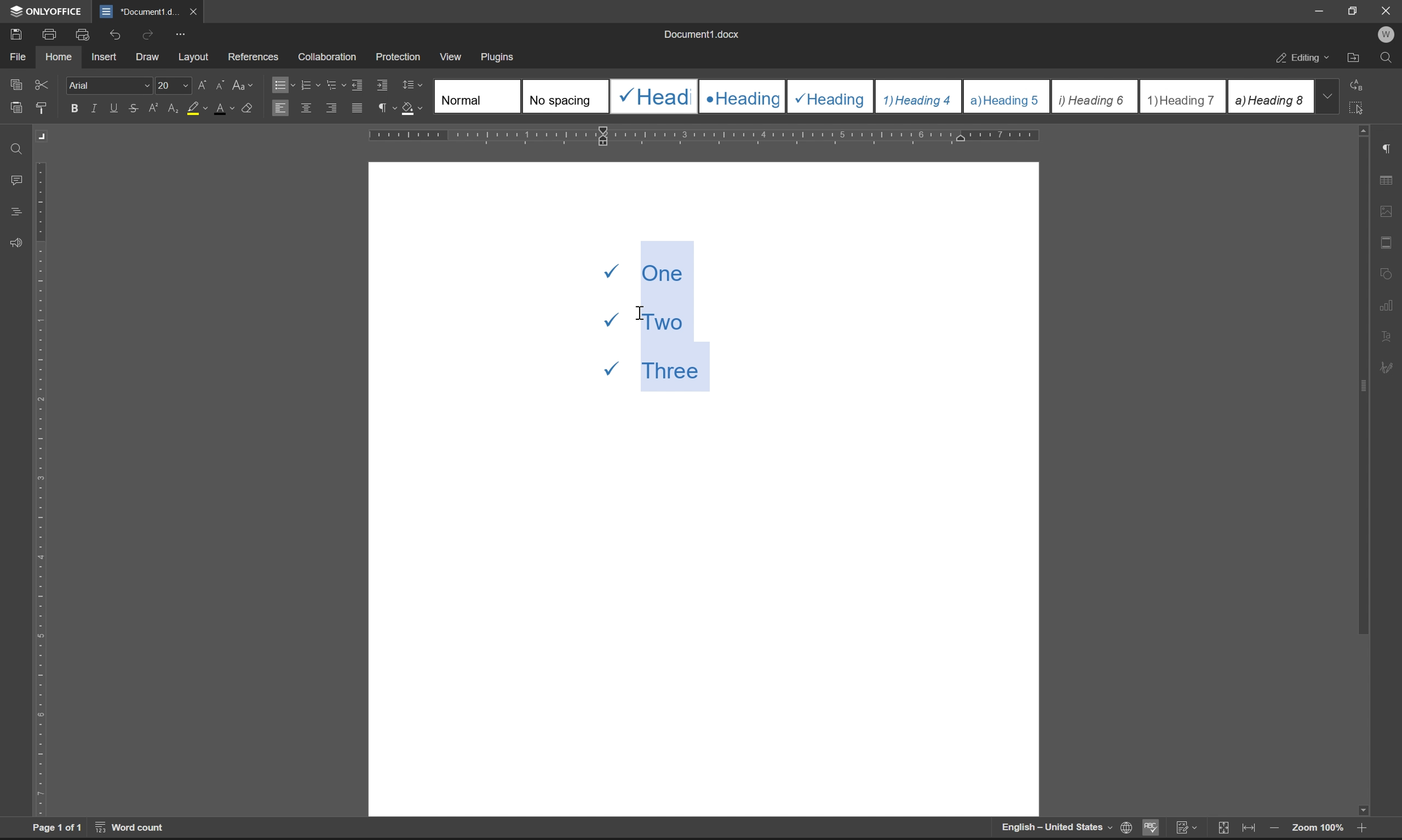  I want to click on strikethrough, so click(135, 108).